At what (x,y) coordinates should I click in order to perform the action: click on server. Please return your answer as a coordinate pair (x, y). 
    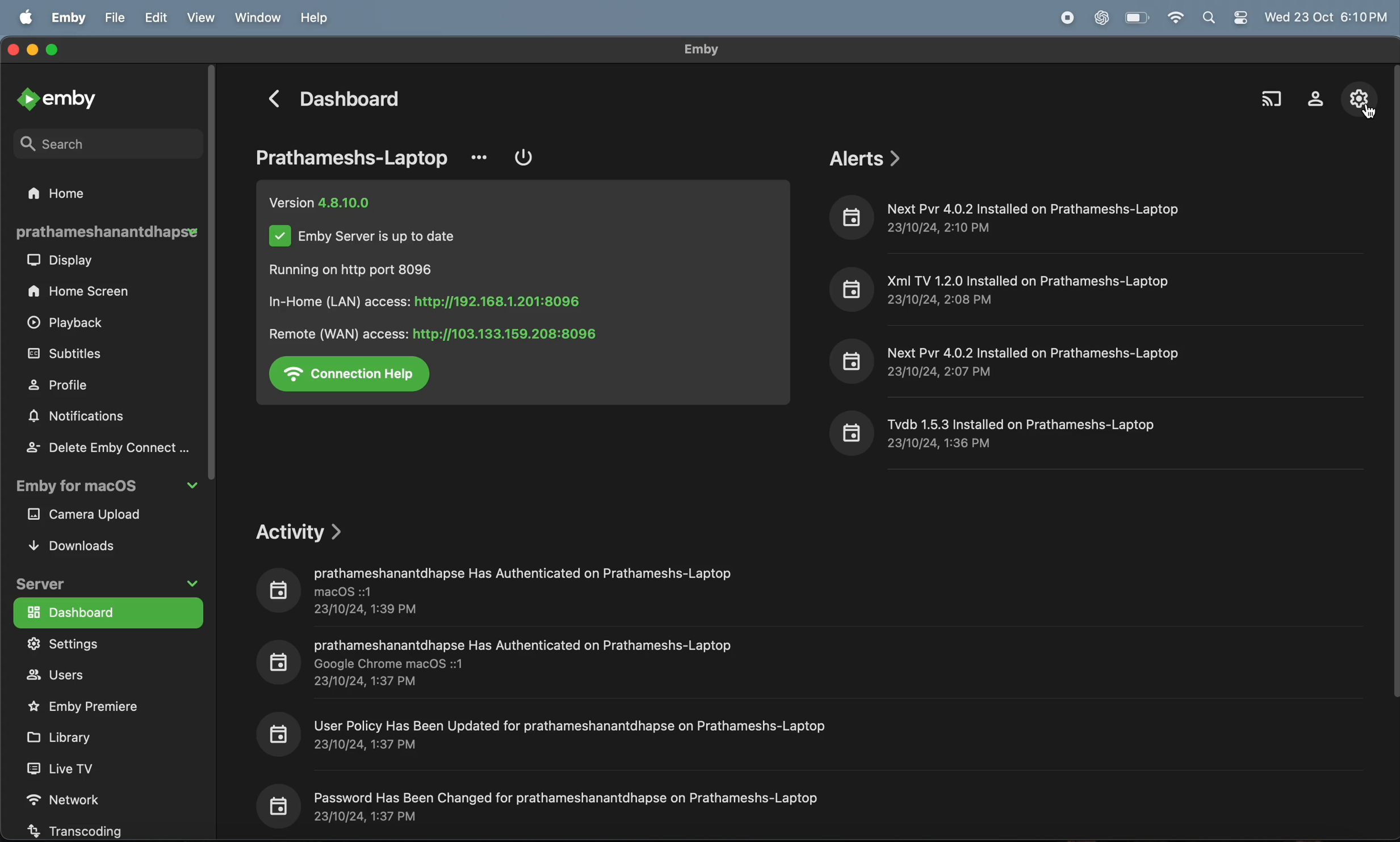
    Looking at the image, I should click on (107, 584).